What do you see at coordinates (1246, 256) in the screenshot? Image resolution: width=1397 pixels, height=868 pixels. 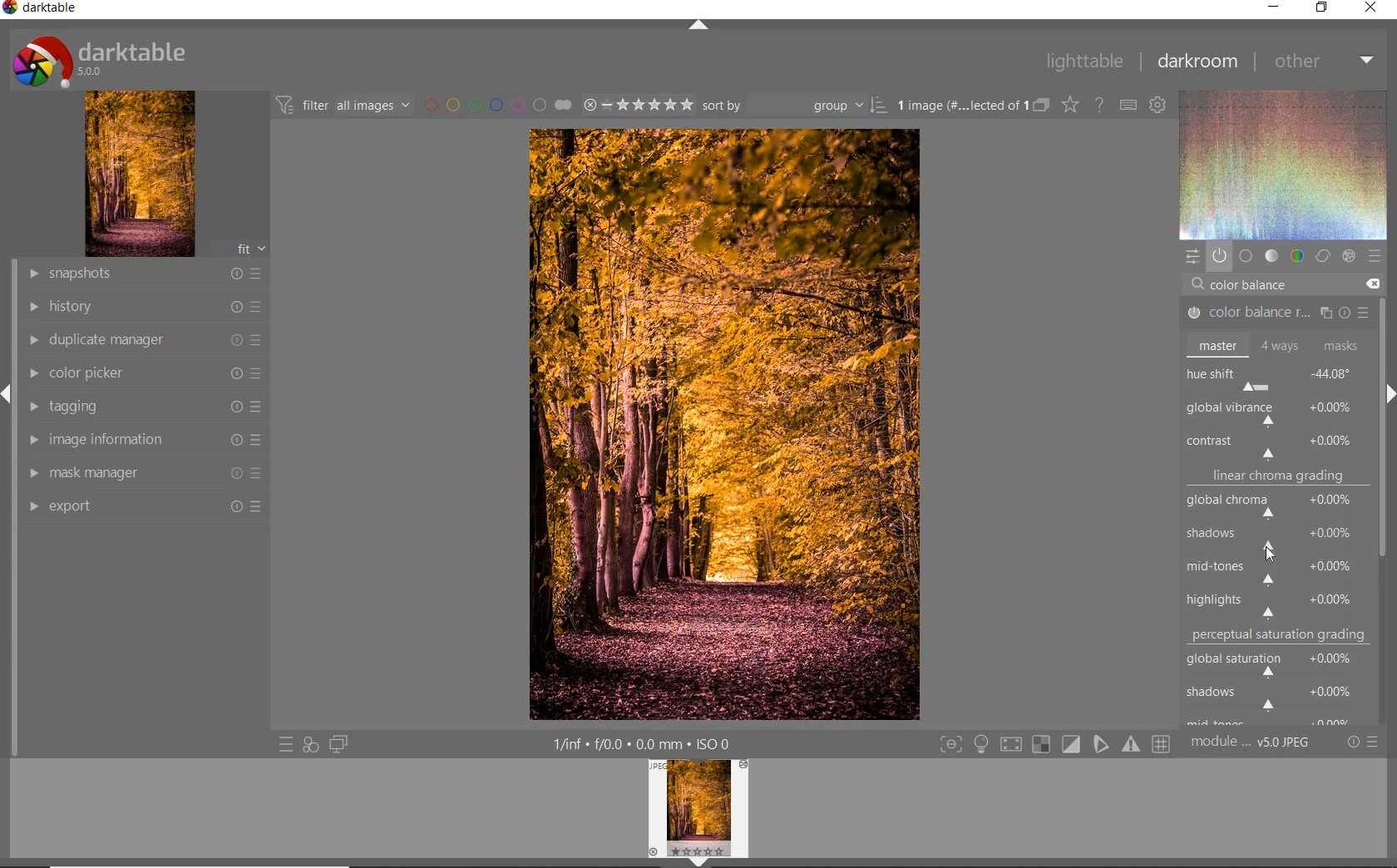 I see `base` at bounding box center [1246, 256].